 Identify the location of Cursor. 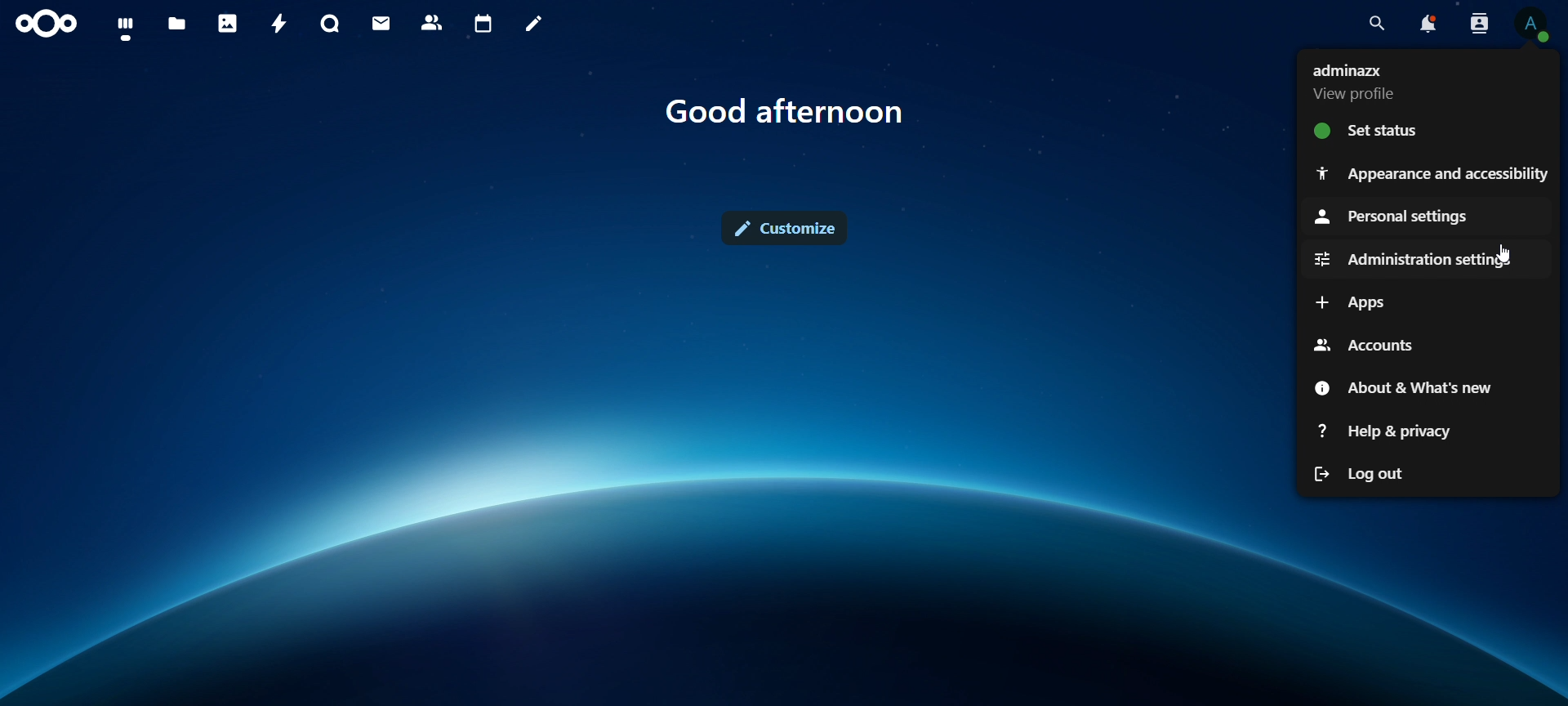
(1503, 248).